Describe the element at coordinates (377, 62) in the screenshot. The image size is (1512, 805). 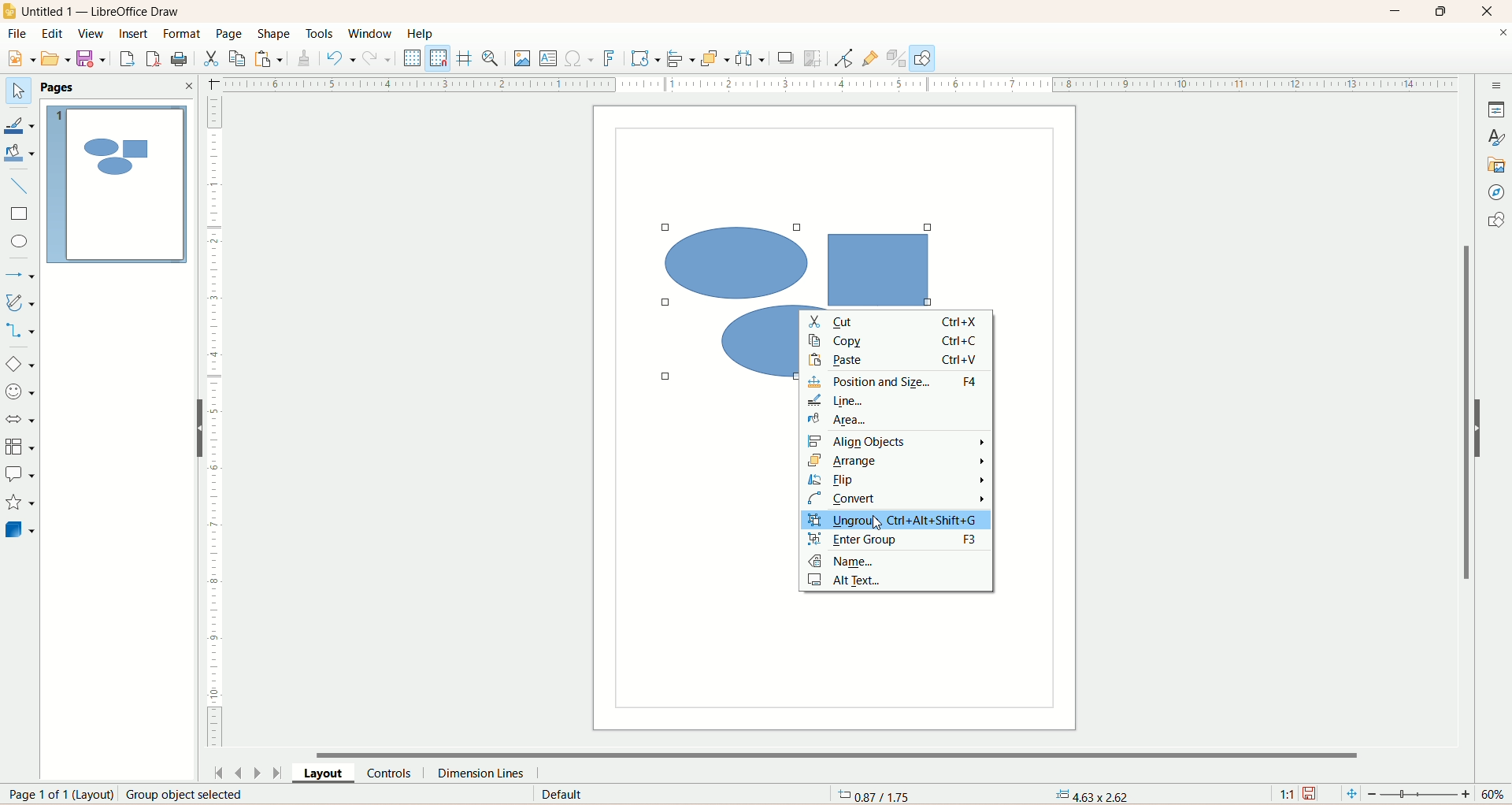
I see `redo` at that location.